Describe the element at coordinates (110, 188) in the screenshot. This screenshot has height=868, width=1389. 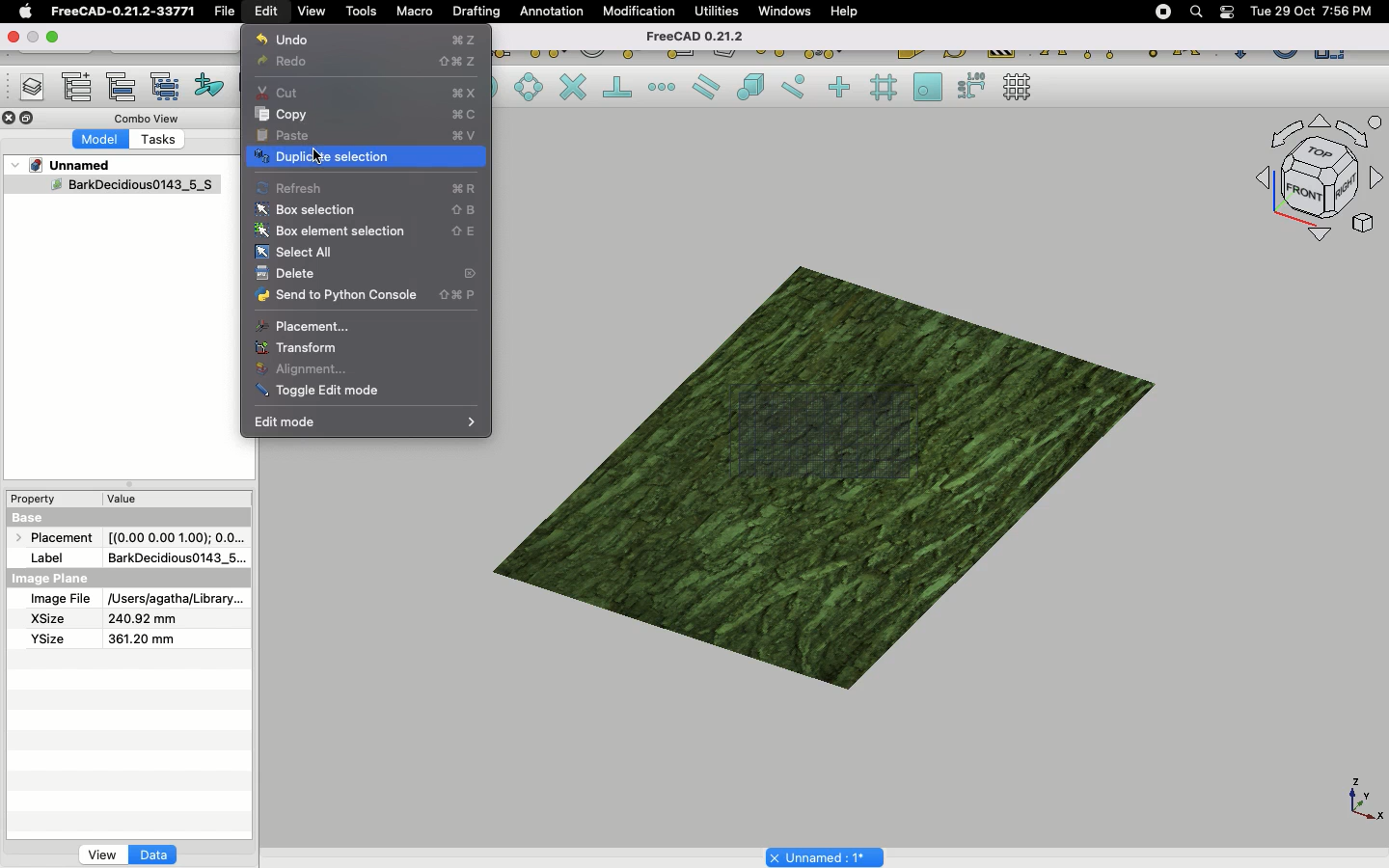
I see `Object selected` at that location.